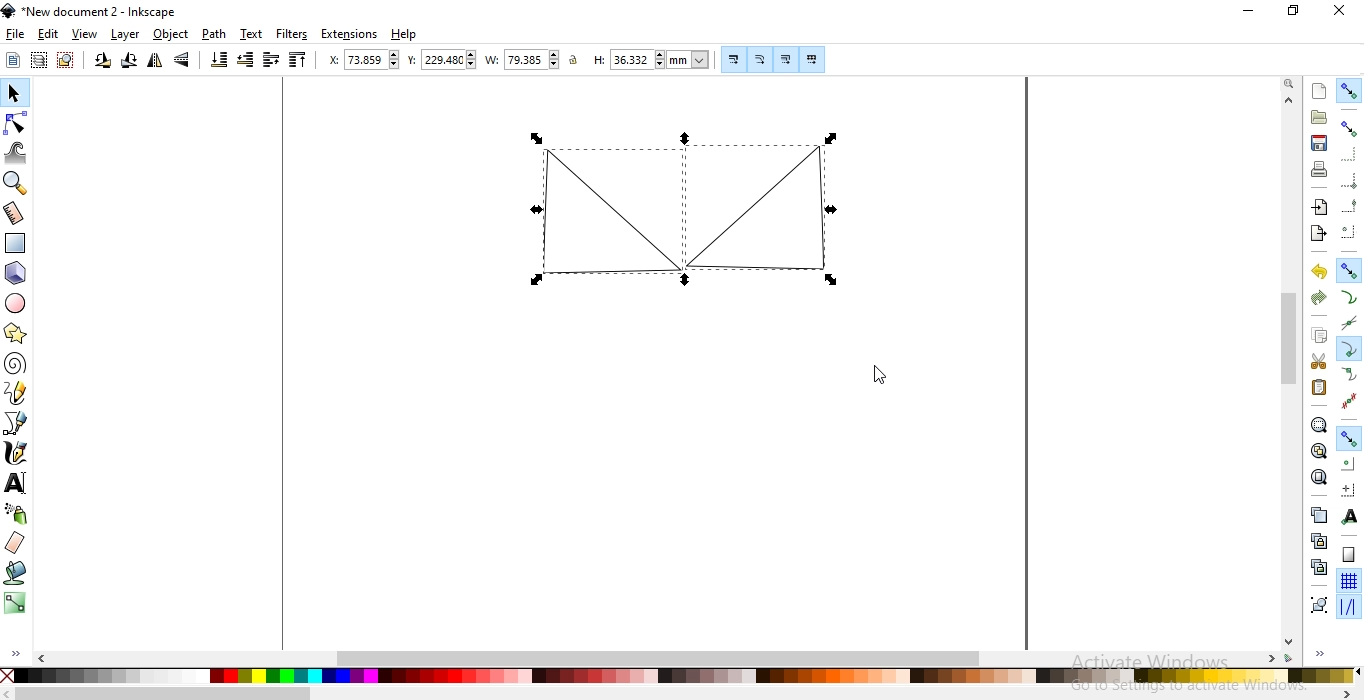  I want to click on create a duplicate, so click(1318, 515).